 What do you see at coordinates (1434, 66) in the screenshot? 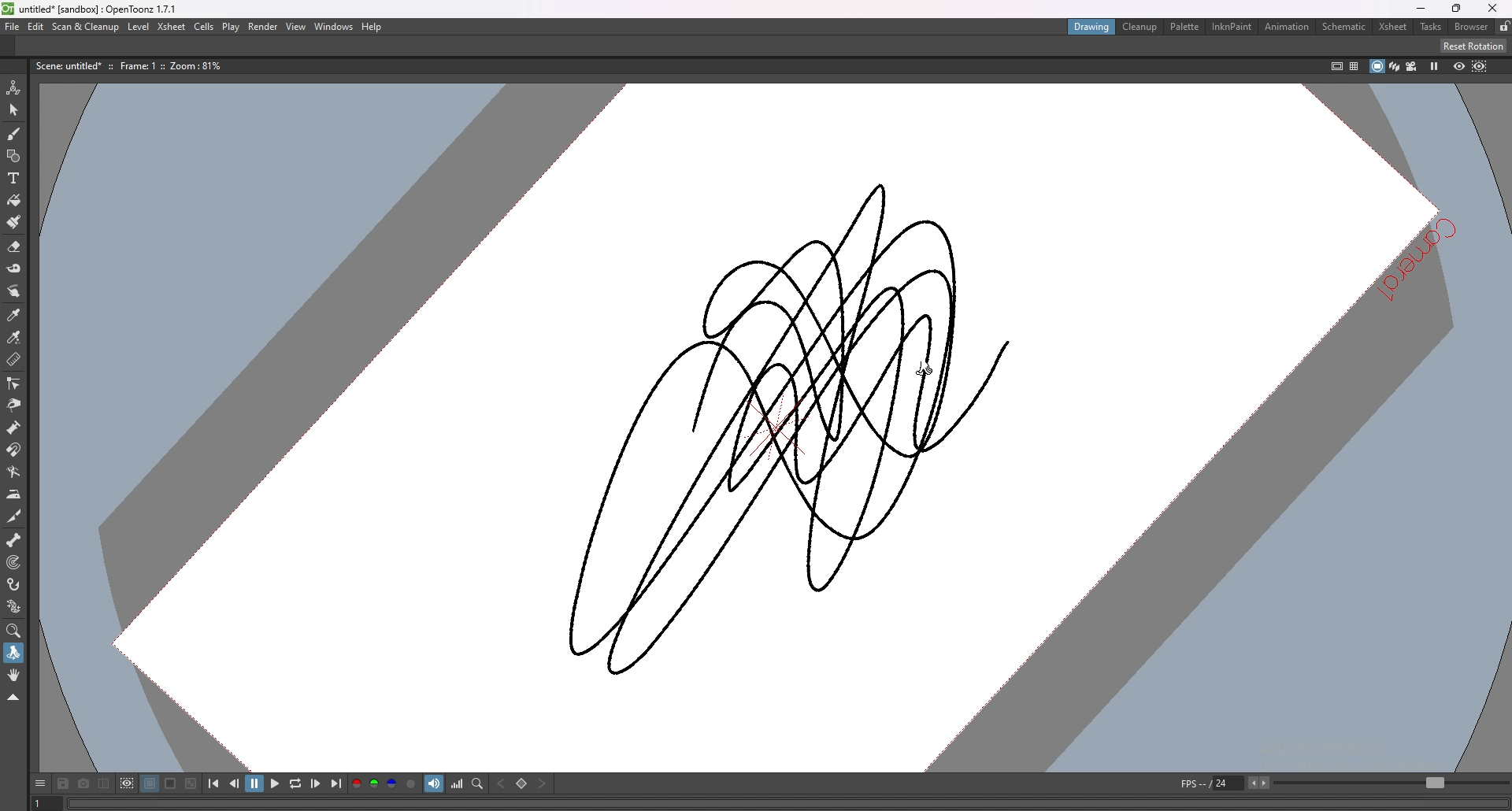
I see `freeze` at bounding box center [1434, 66].